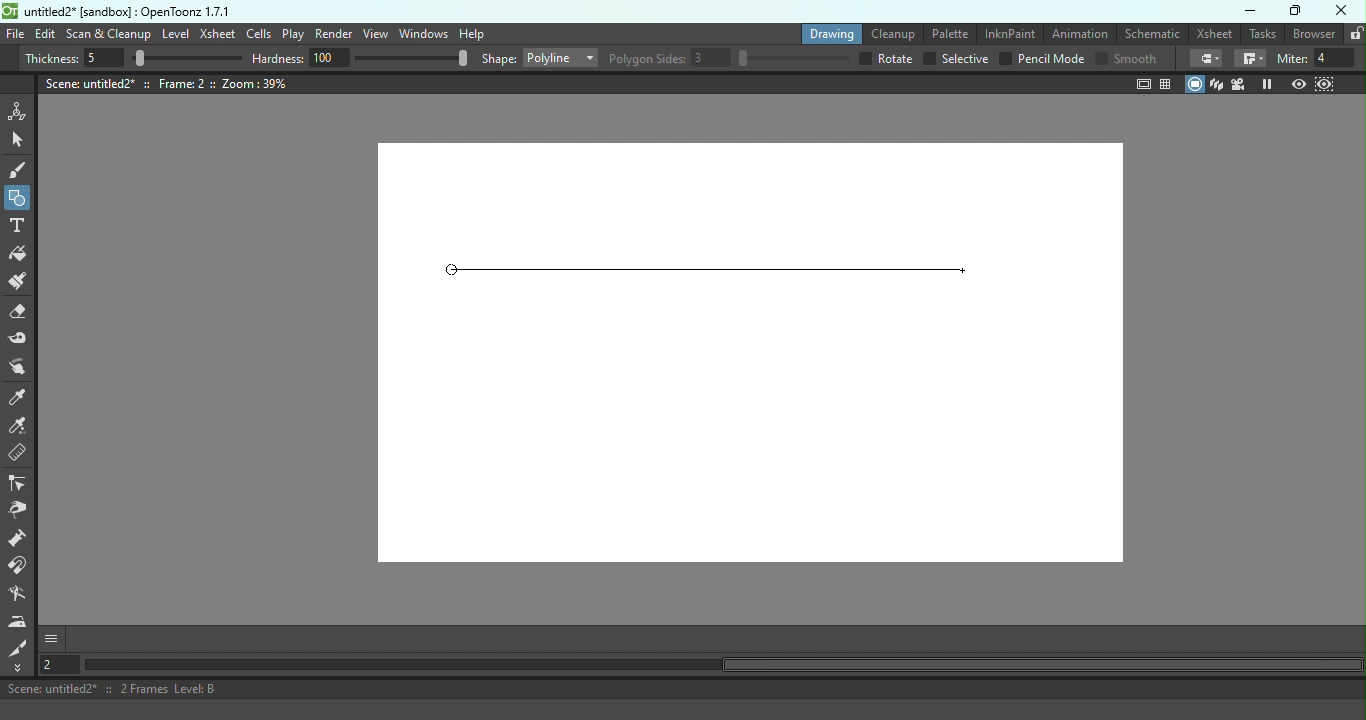 This screenshot has height=720, width=1366. What do you see at coordinates (20, 227) in the screenshot?
I see `Type tool` at bounding box center [20, 227].